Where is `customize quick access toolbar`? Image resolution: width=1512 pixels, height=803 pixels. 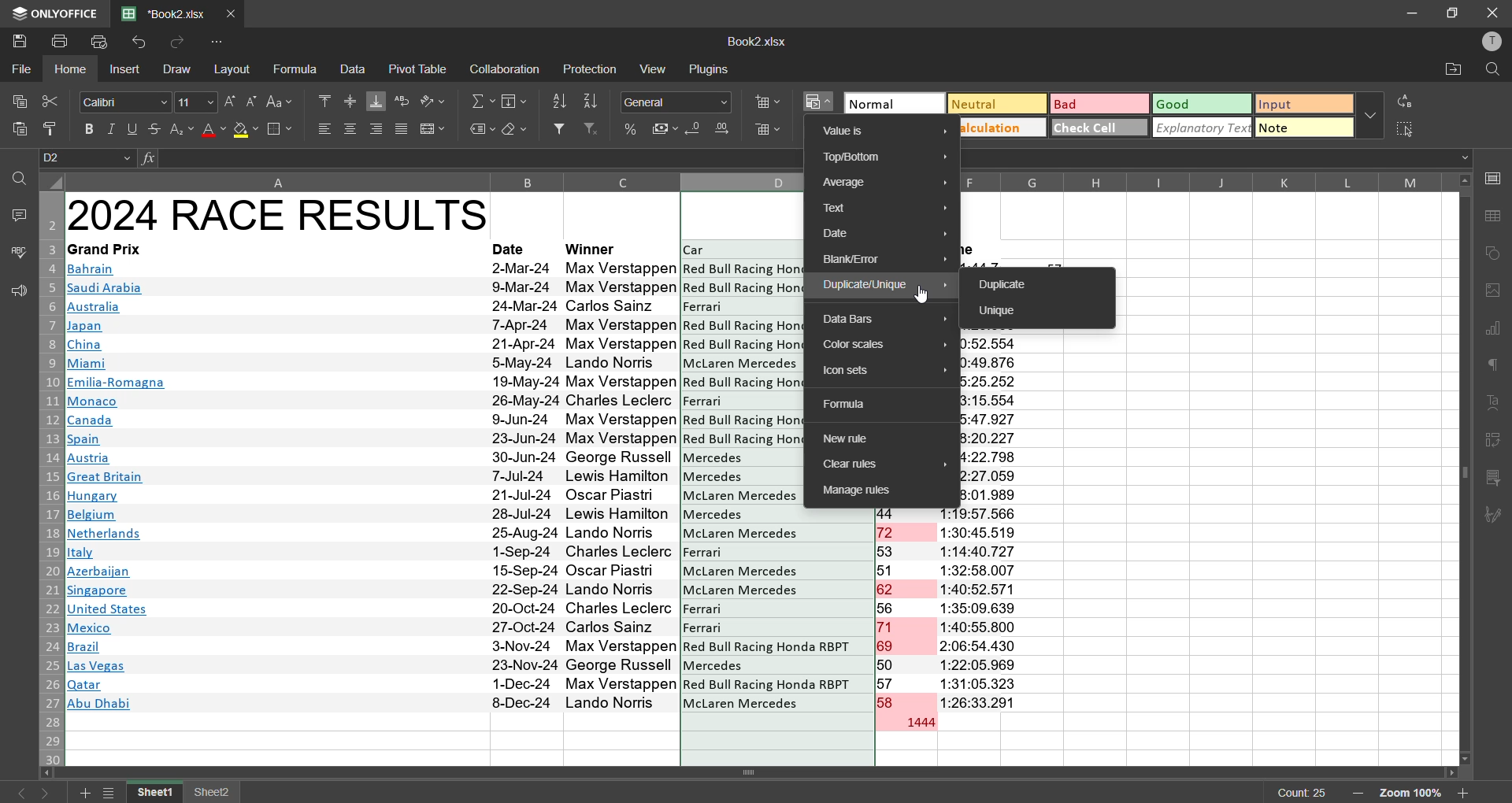
customize quick access toolbar is located at coordinates (220, 42).